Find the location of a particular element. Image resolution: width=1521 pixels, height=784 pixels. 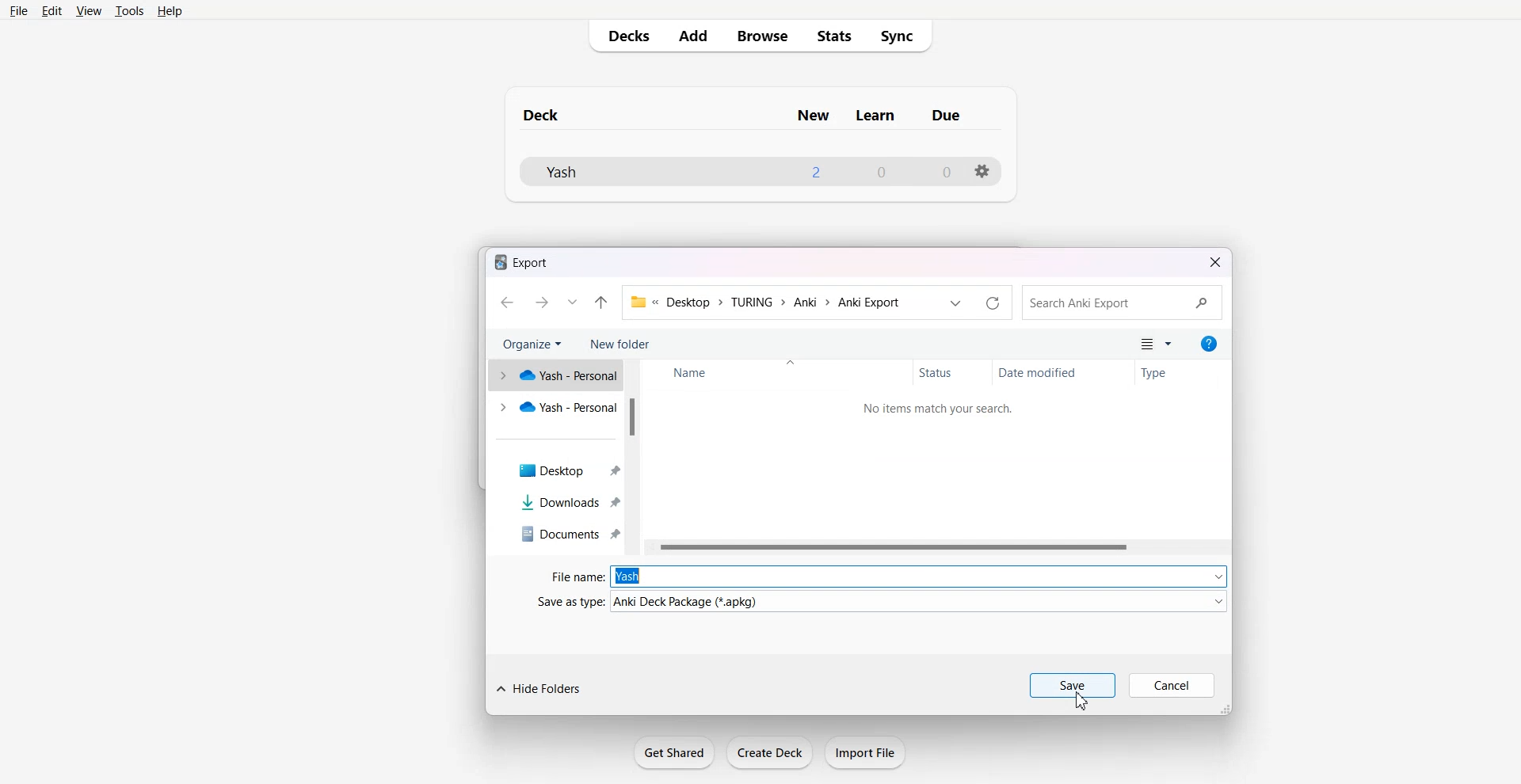

Type is located at coordinates (1170, 372).